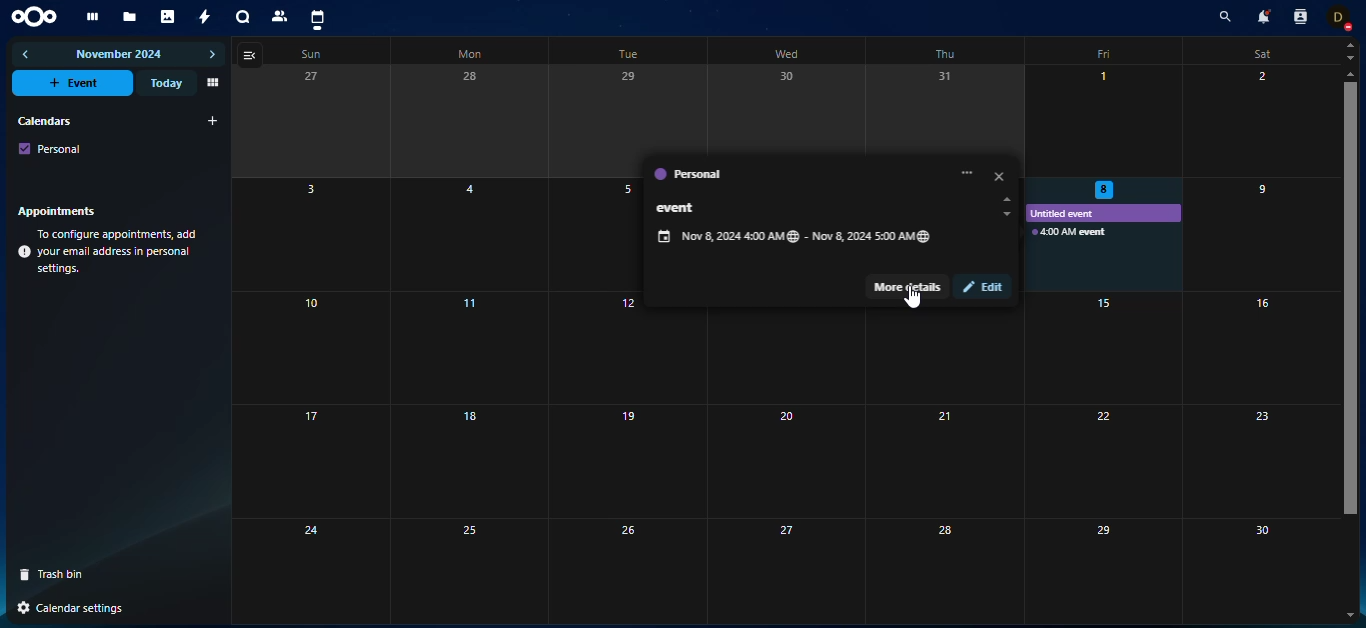 Image resolution: width=1366 pixels, height=628 pixels. What do you see at coordinates (786, 472) in the screenshot?
I see `calendar` at bounding box center [786, 472].